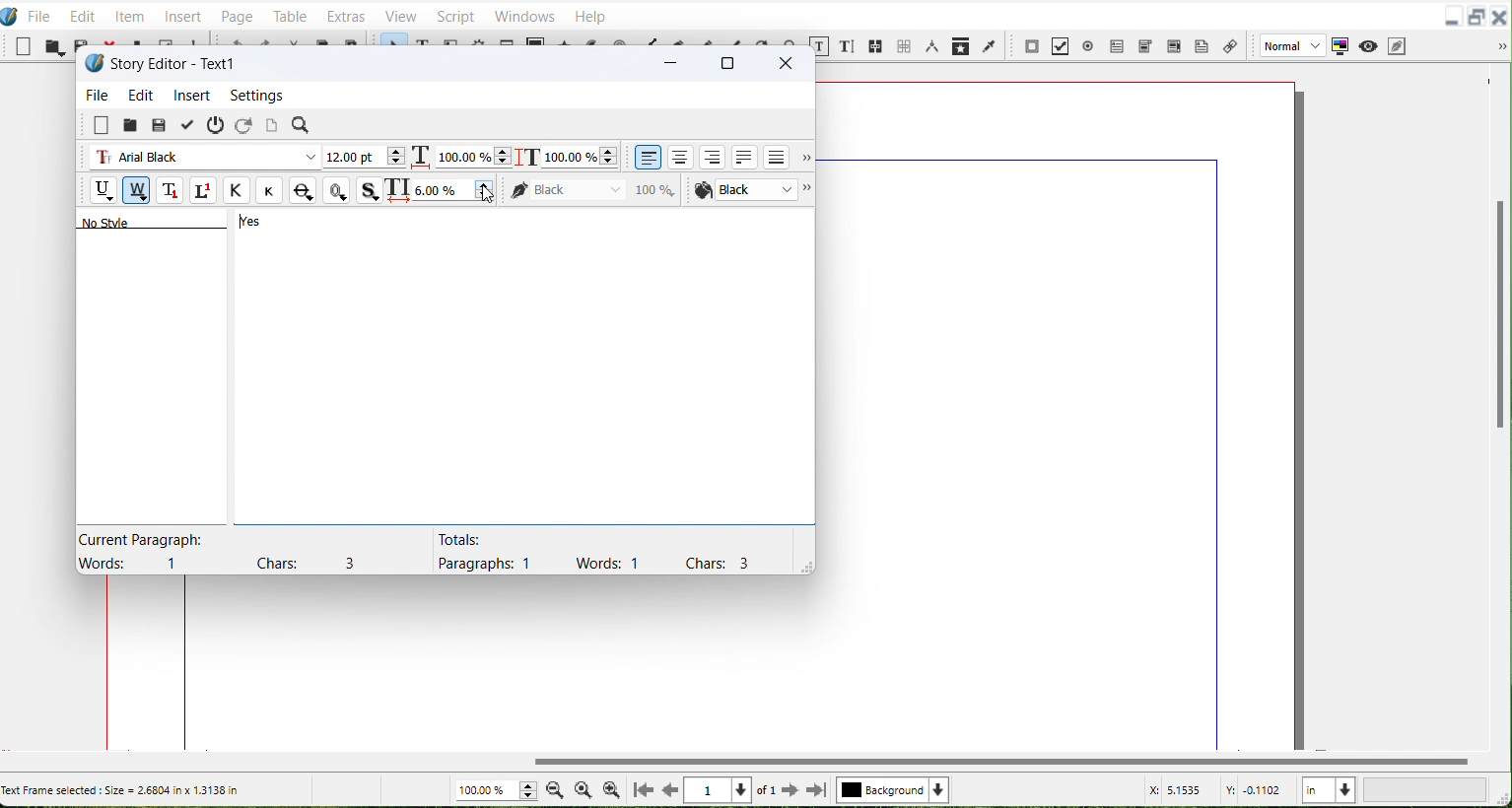  Describe the element at coordinates (1091, 43) in the screenshot. I see `PDF Radio button` at that location.